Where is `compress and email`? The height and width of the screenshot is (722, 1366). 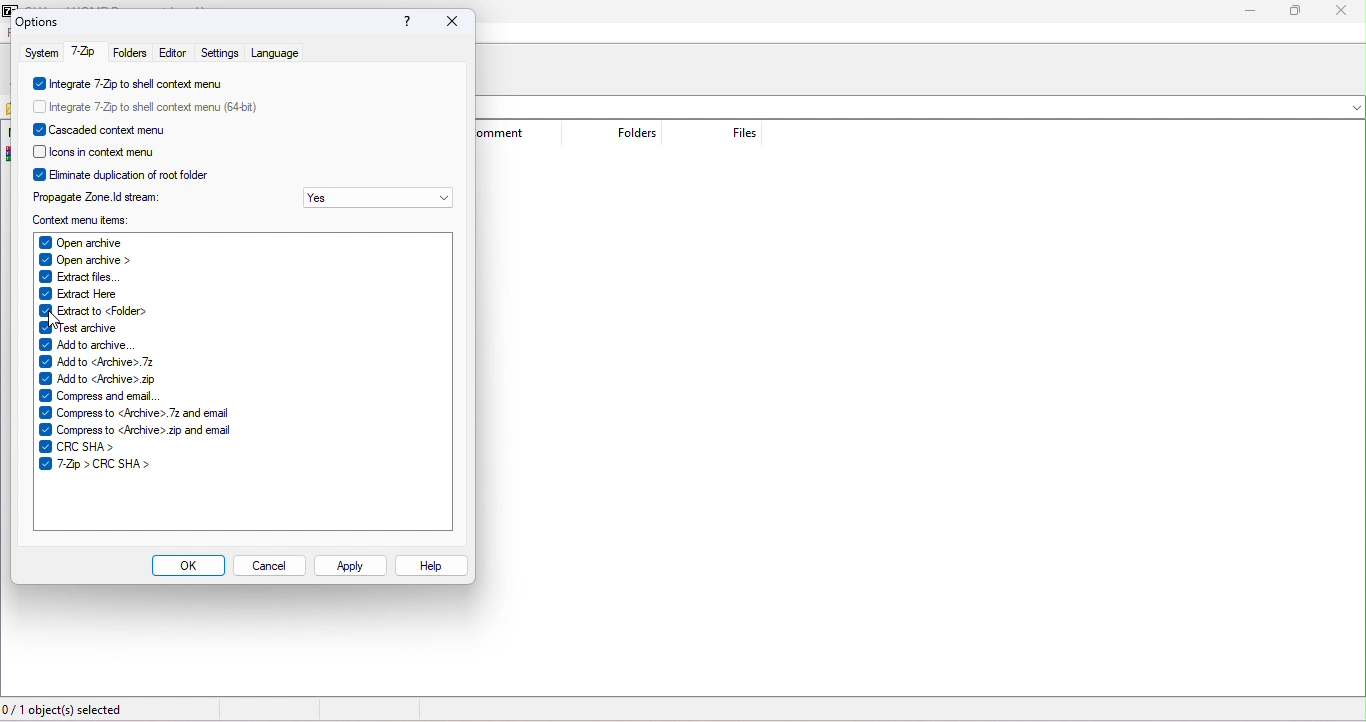
compress and email is located at coordinates (107, 397).